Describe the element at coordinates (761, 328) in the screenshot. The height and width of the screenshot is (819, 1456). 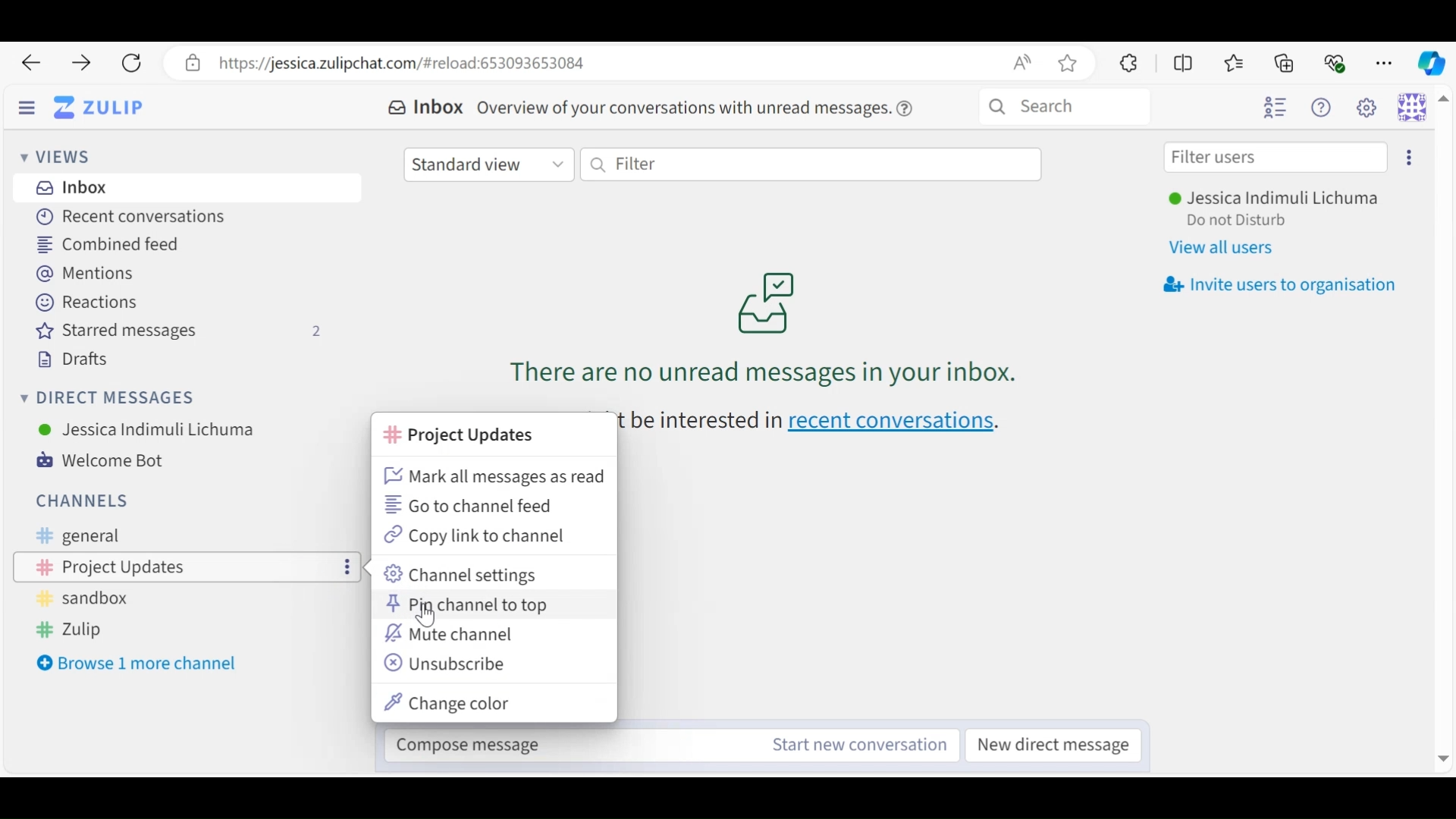
I see `unread messages` at that location.